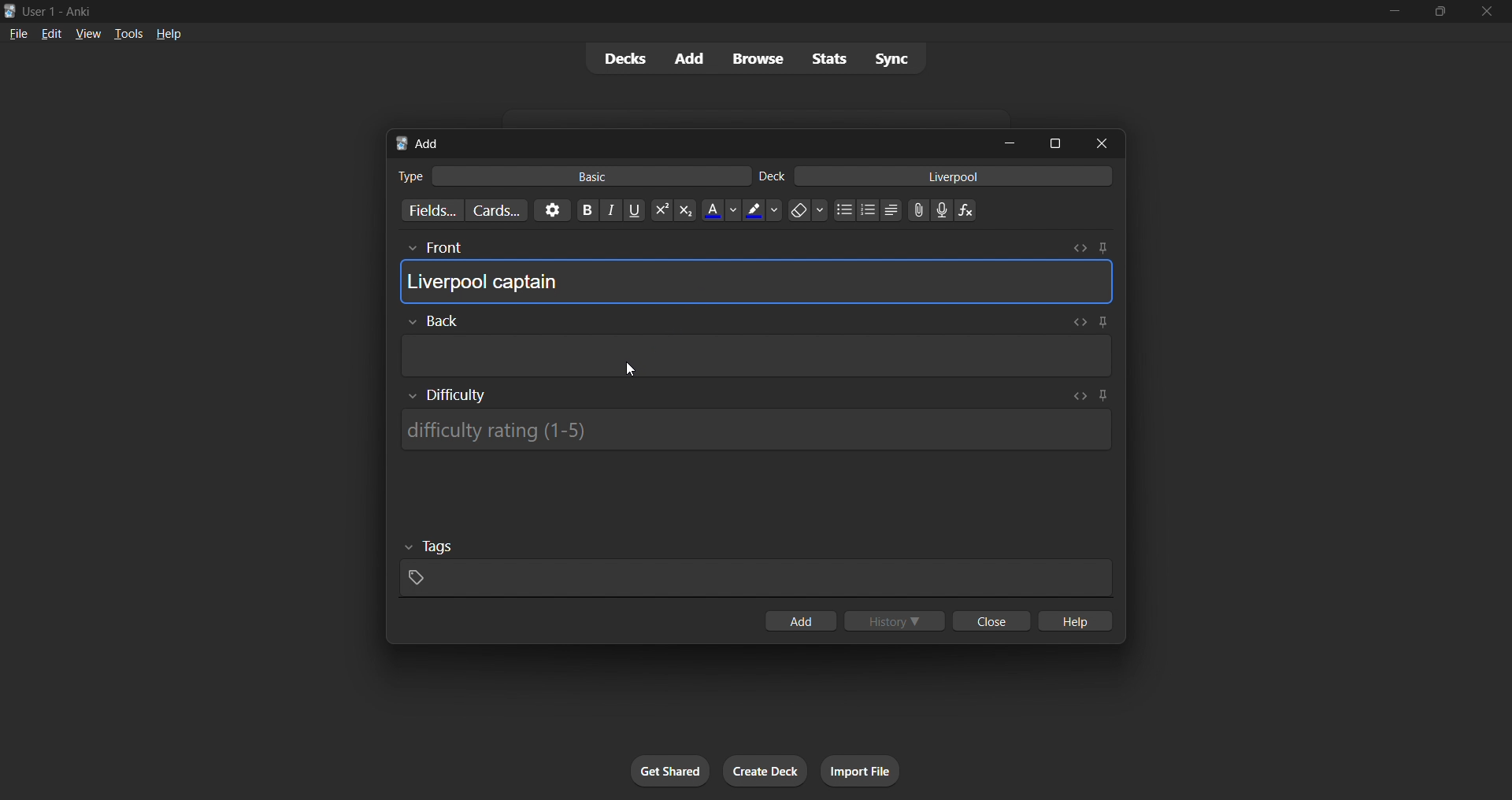 The width and height of the screenshot is (1512, 800). I want to click on card deck input, so click(954, 176).